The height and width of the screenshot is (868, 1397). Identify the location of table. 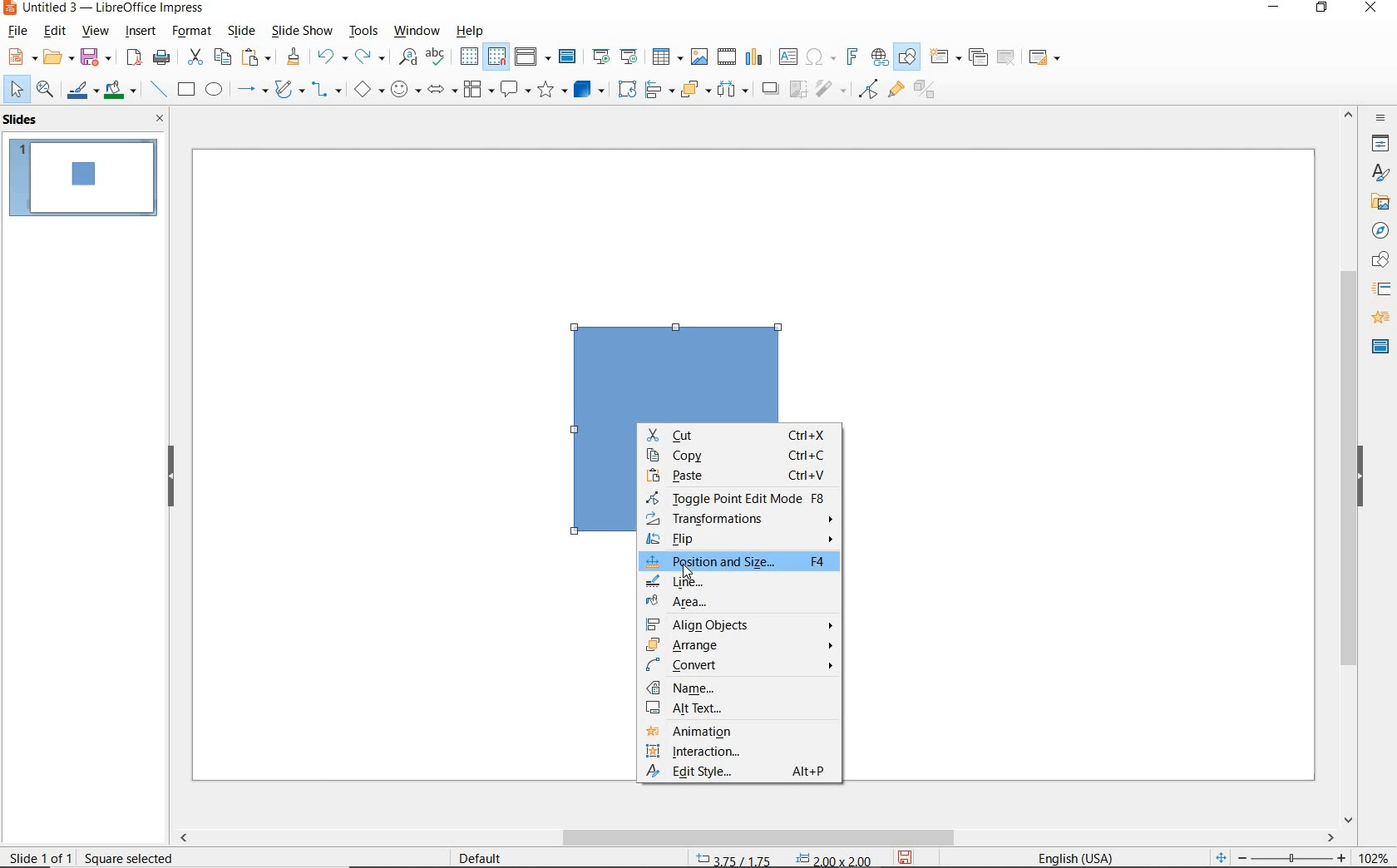
(666, 57).